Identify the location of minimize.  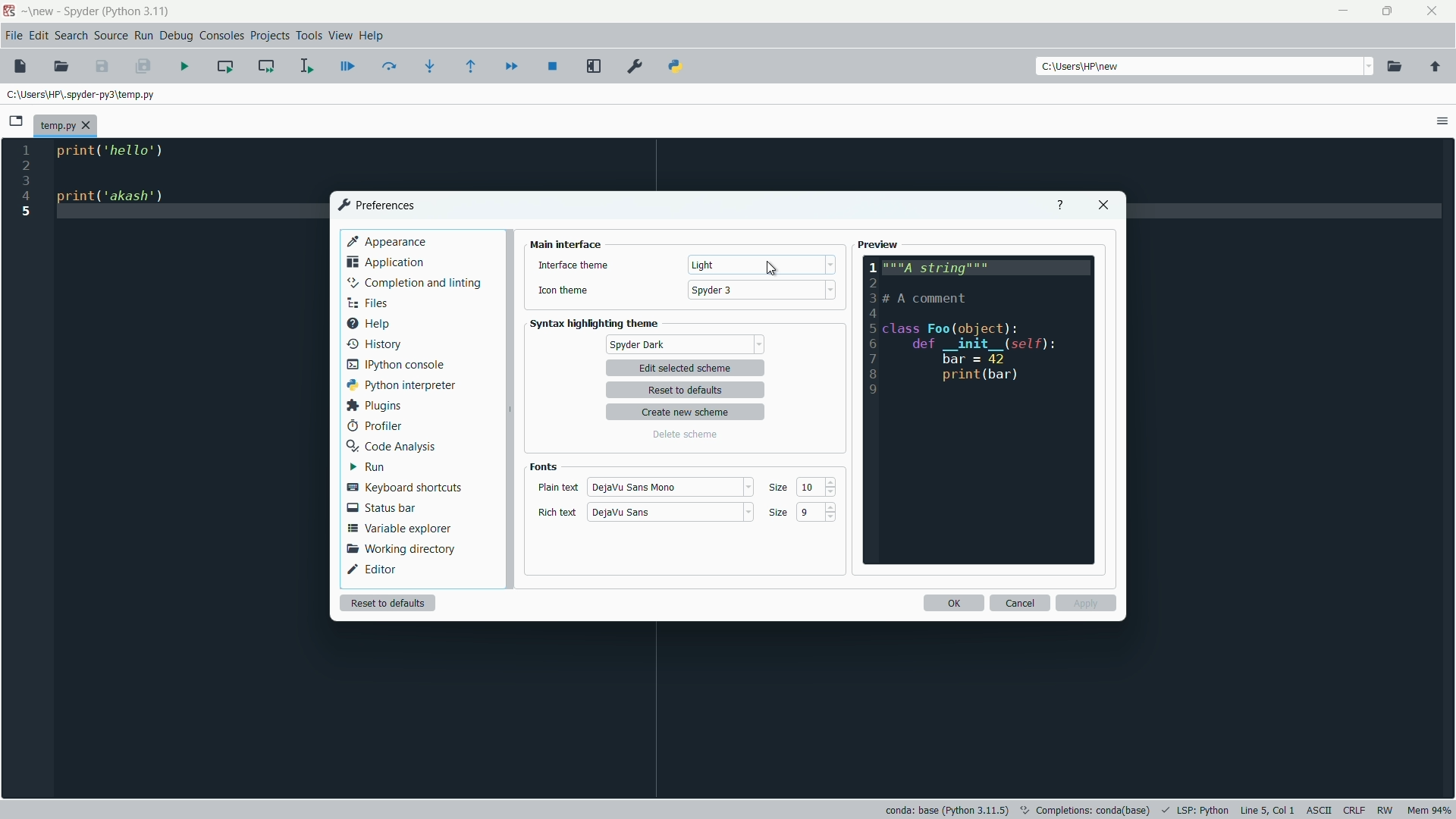
(1344, 13).